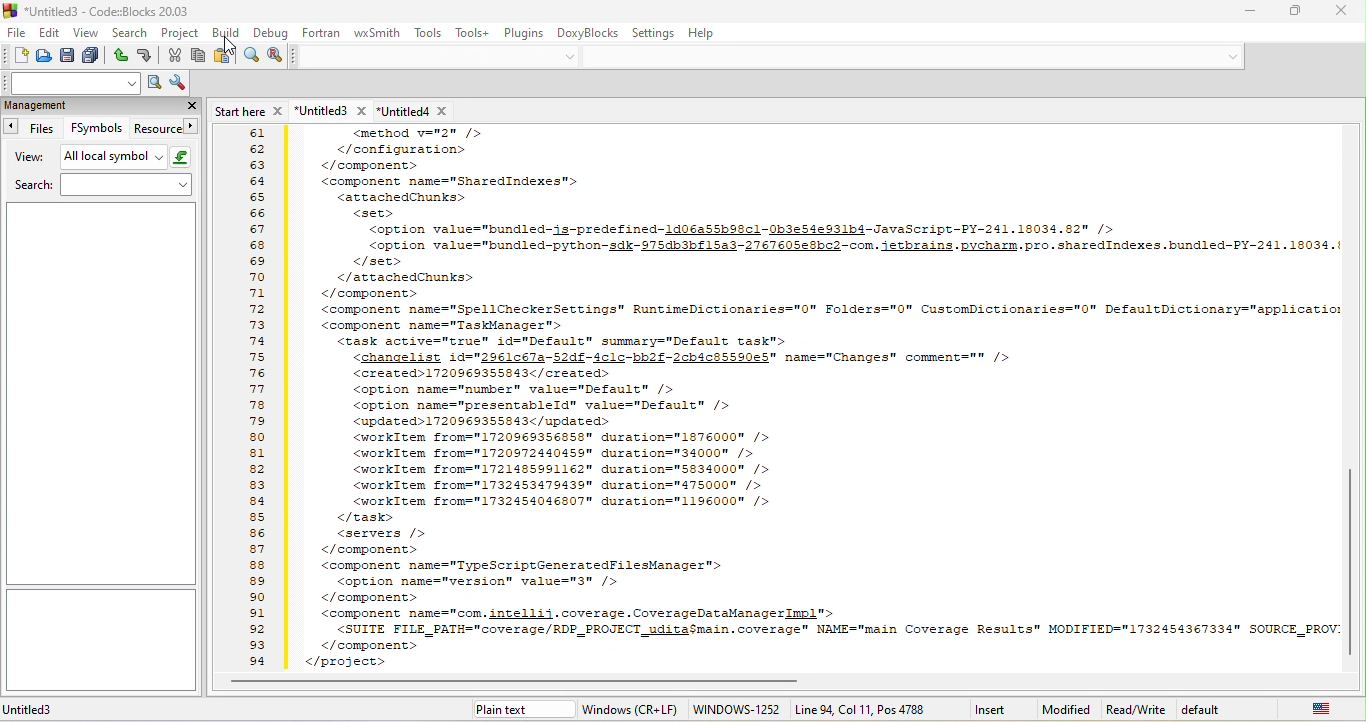  Describe the element at coordinates (277, 55) in the screenshot. I see `replace` at that location.